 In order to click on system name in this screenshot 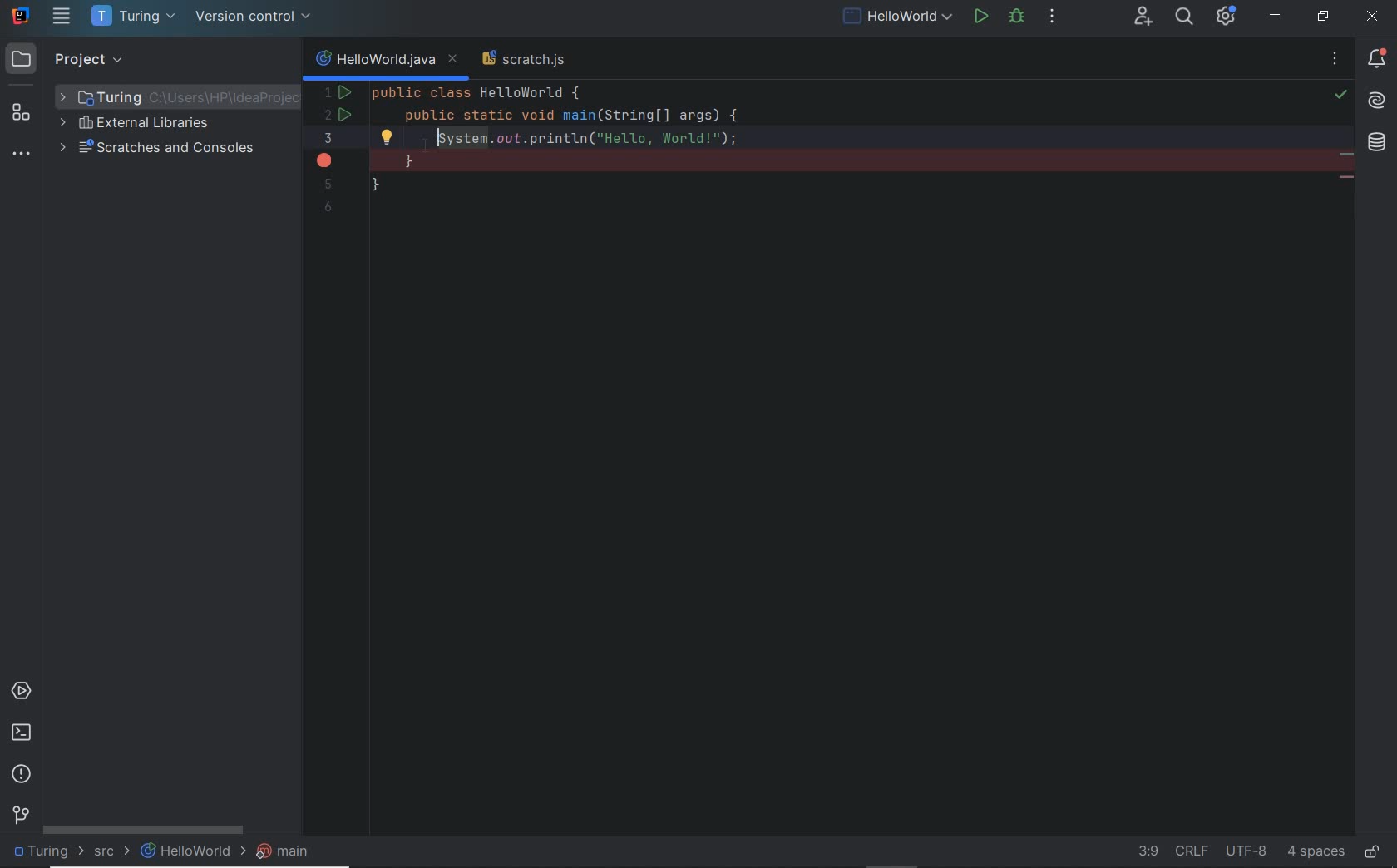, I will do `click(21, 17)`.